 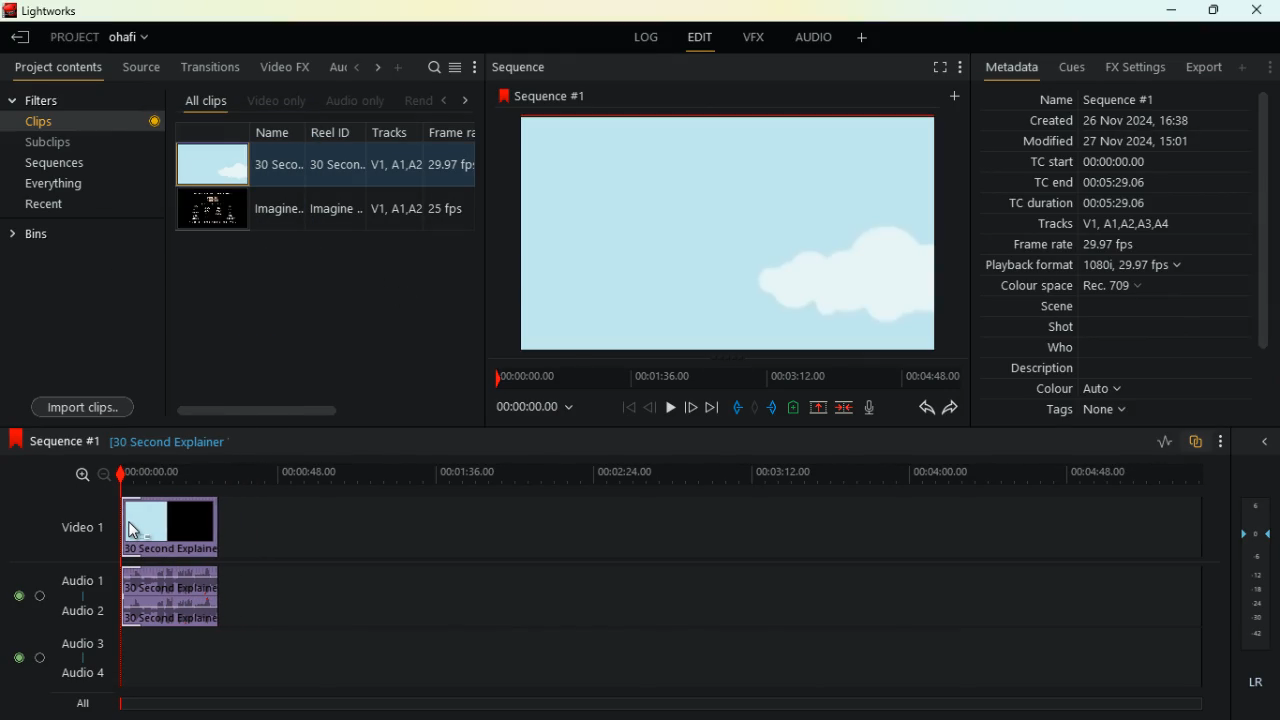 What do you see at coordinates (53, 440) in the screenshot?
I see `sequence` at bounding box center [53, 440].